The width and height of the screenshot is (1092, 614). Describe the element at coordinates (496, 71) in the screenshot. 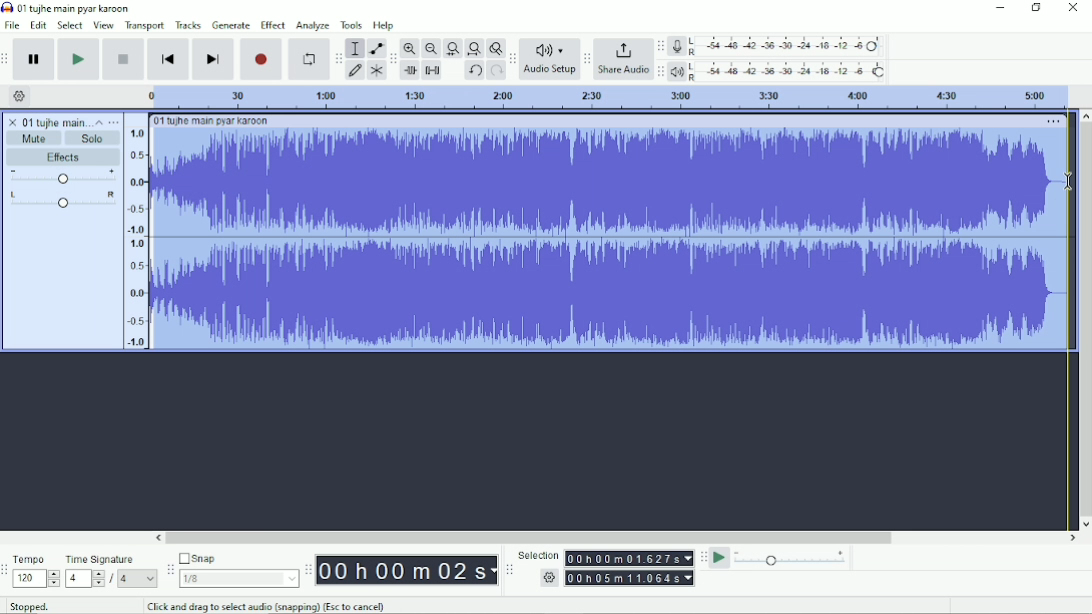

I see `Redo` at that location.